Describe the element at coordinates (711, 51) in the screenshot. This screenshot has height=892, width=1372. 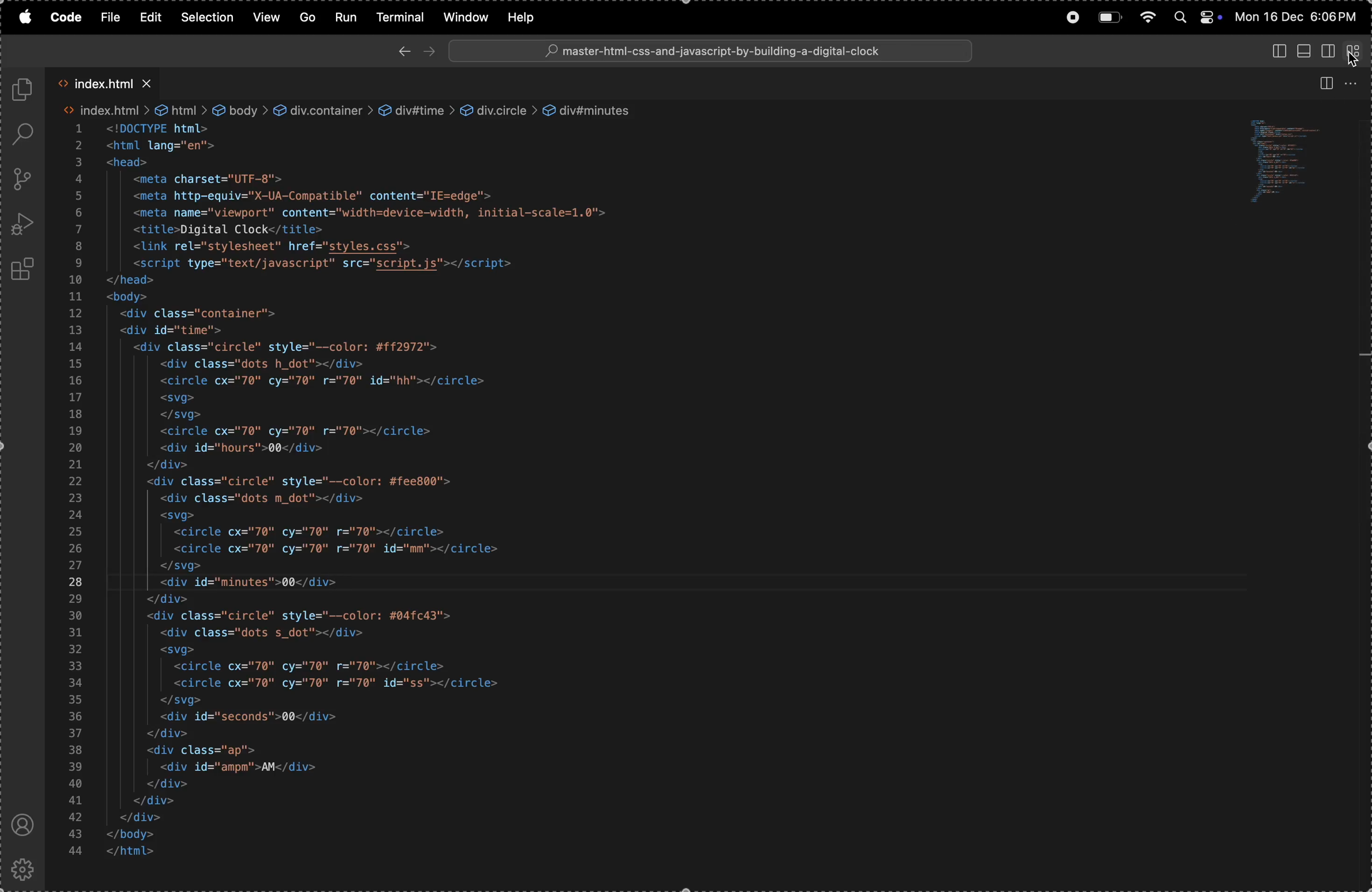
I see `search bar` at that location.